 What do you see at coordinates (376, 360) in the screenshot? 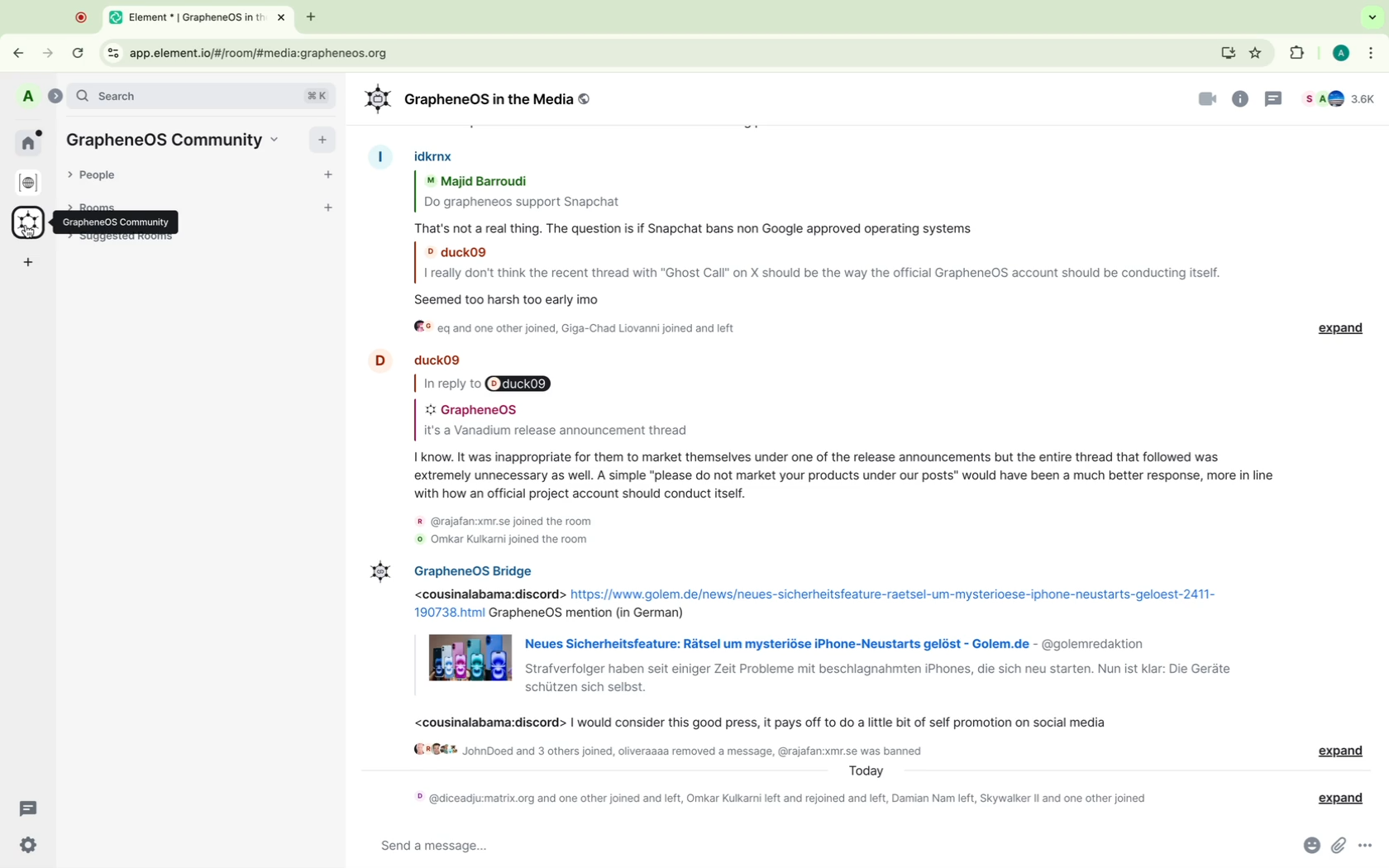
I see `profile picture` at bounding box center [376, 360].